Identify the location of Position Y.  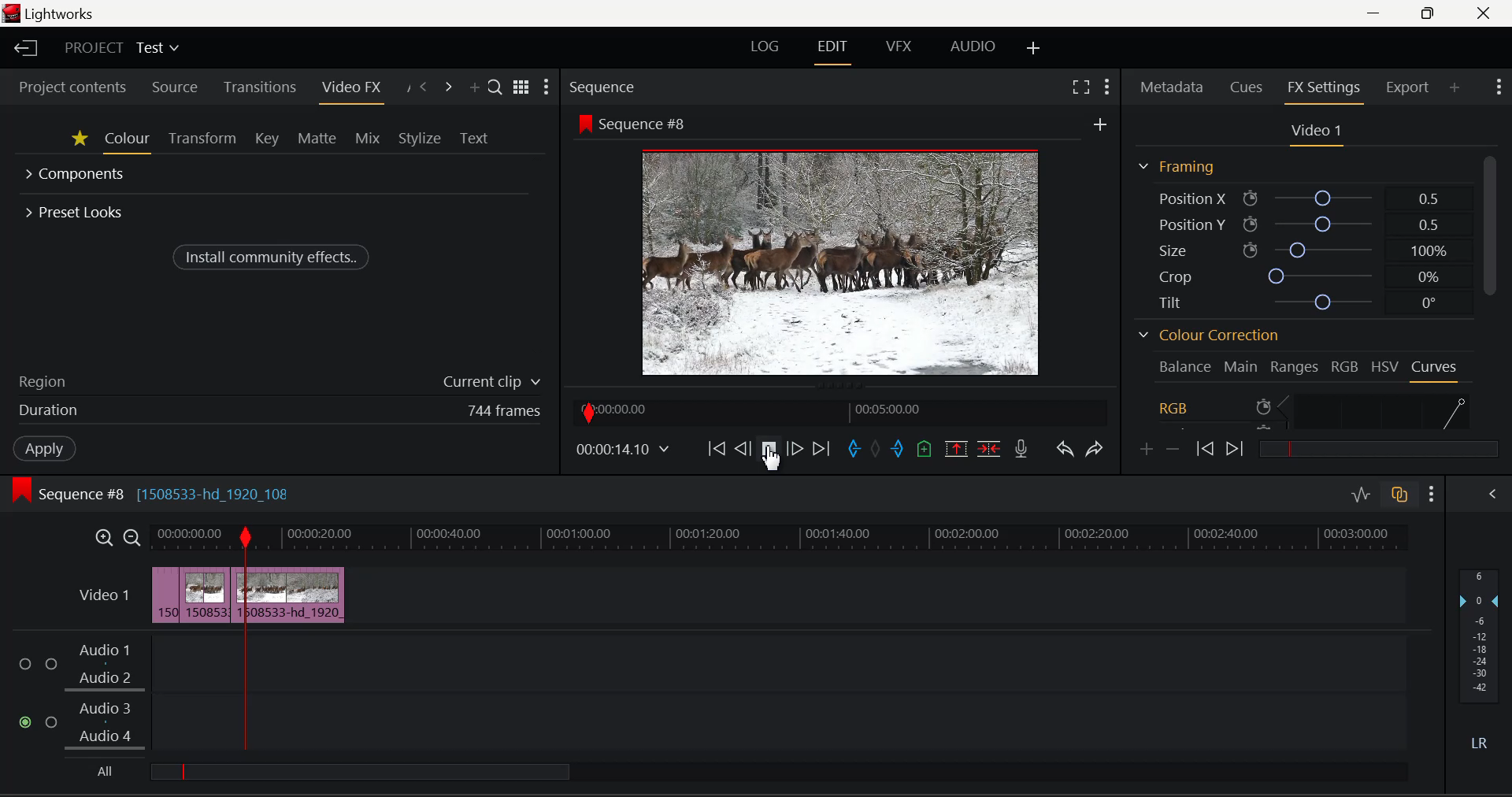
(1300, 223).